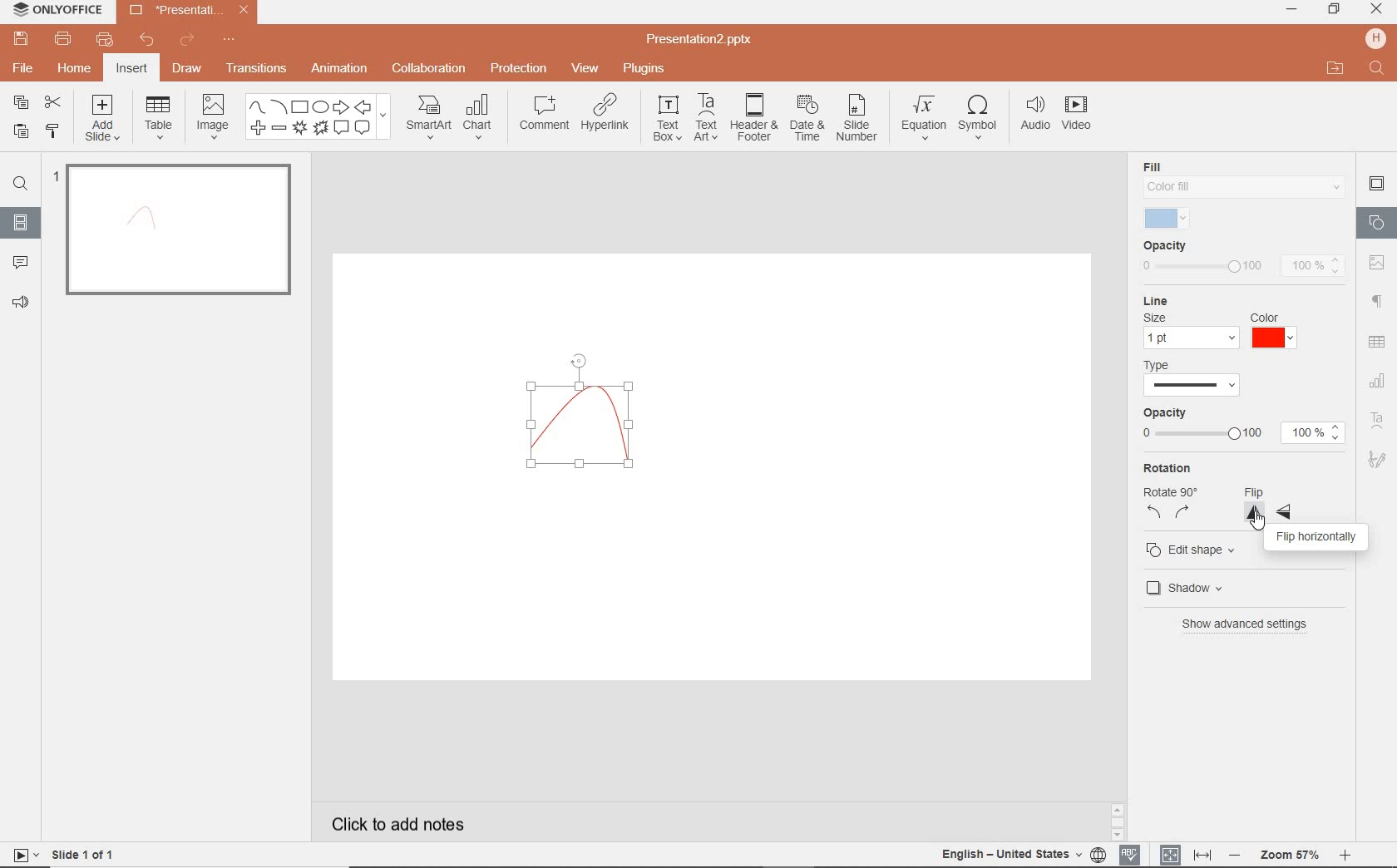  I want to click on TRANSITIONS, so click(259, 70).